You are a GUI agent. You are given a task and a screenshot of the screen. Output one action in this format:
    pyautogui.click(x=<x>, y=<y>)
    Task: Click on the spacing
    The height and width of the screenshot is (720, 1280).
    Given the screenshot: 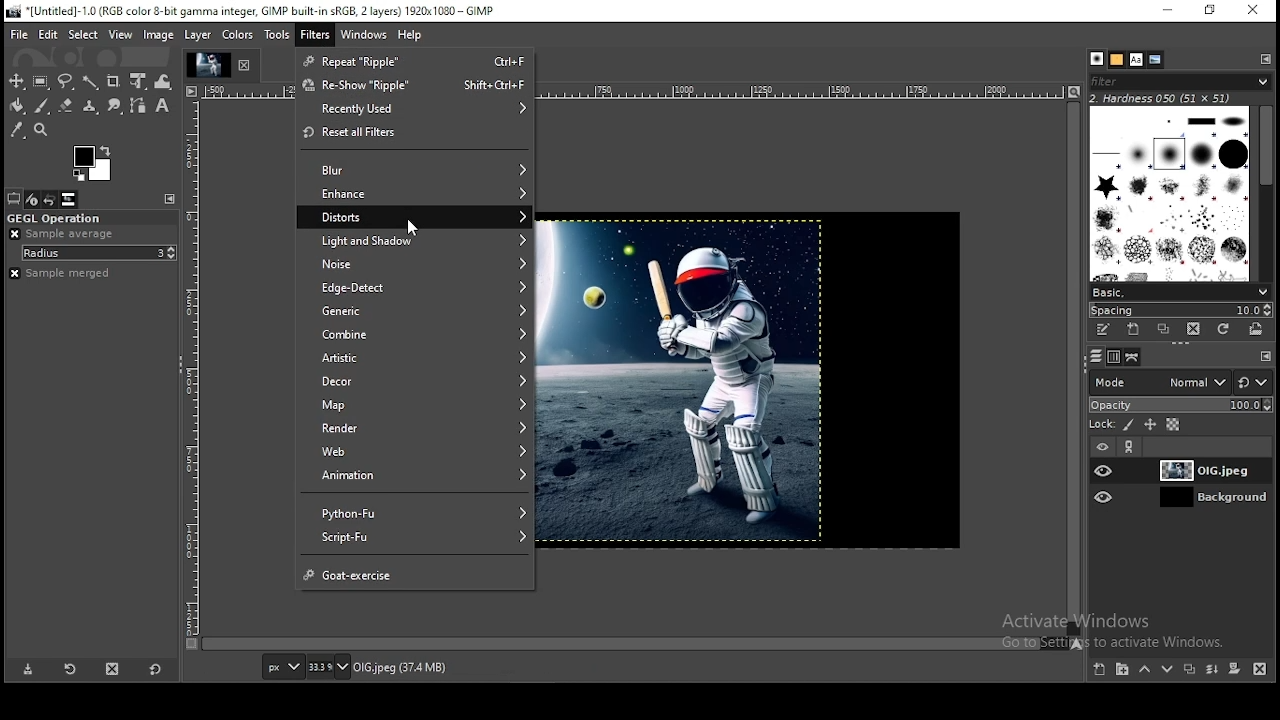 What is the action you would take?
    pyautogui.click(x=1181, y=310)
    